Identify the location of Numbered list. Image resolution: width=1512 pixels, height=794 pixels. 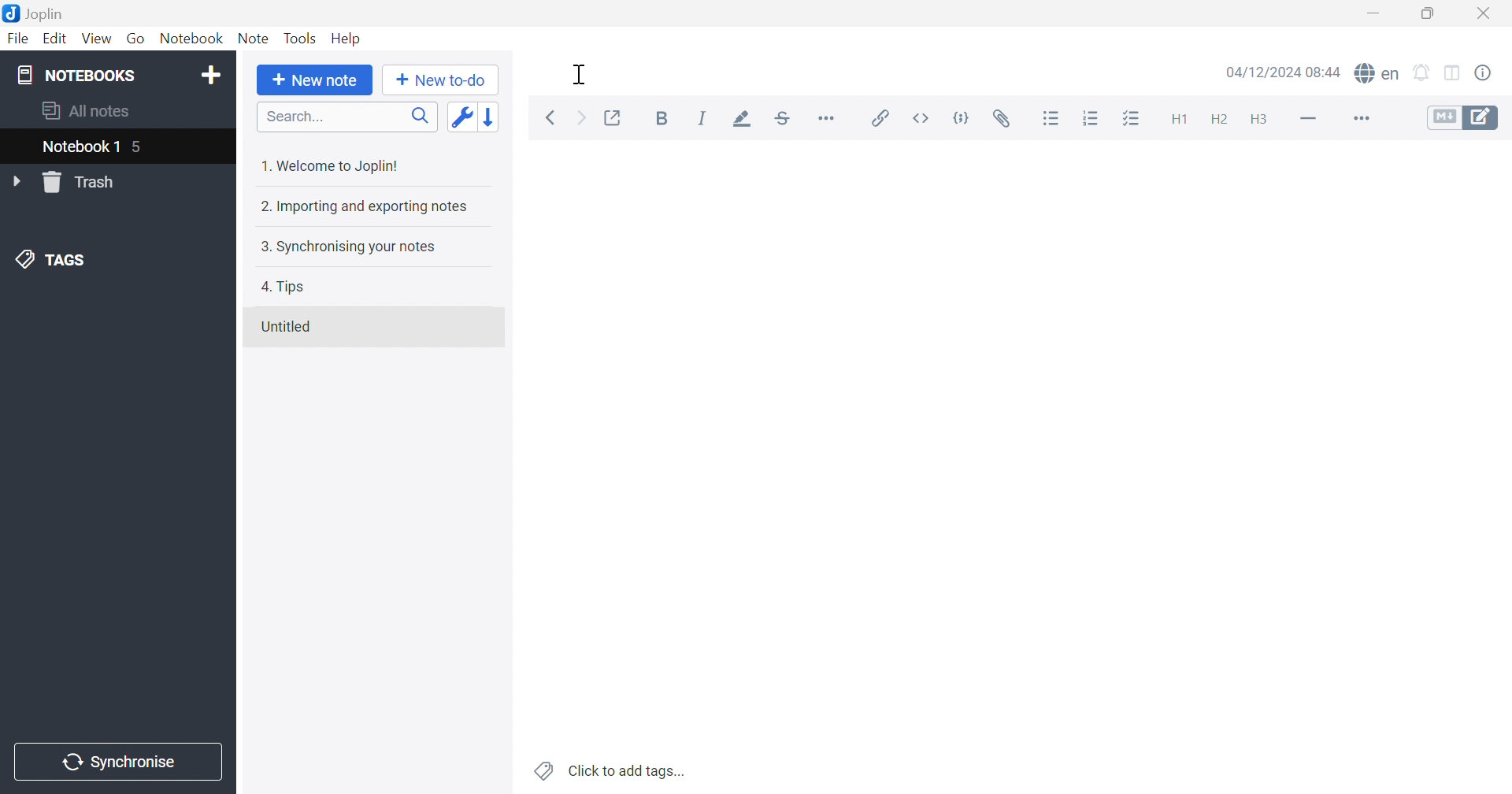
(1091, 118).